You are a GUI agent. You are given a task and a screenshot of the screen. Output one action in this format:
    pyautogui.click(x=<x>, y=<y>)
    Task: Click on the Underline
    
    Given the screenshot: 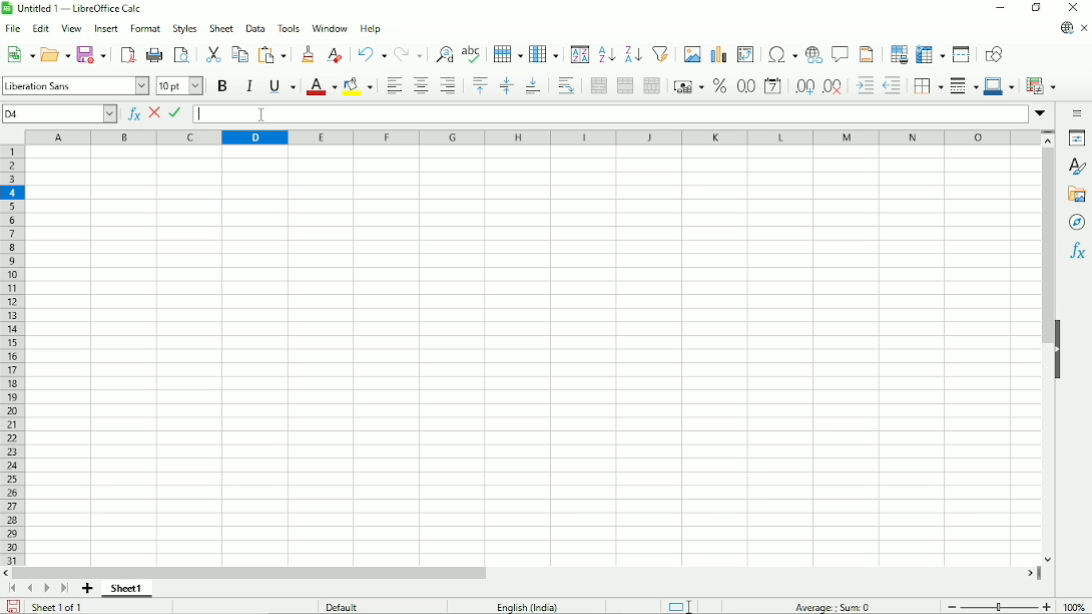 What is the action you would take?
    pyautogui.click(x=283, y=86)
    